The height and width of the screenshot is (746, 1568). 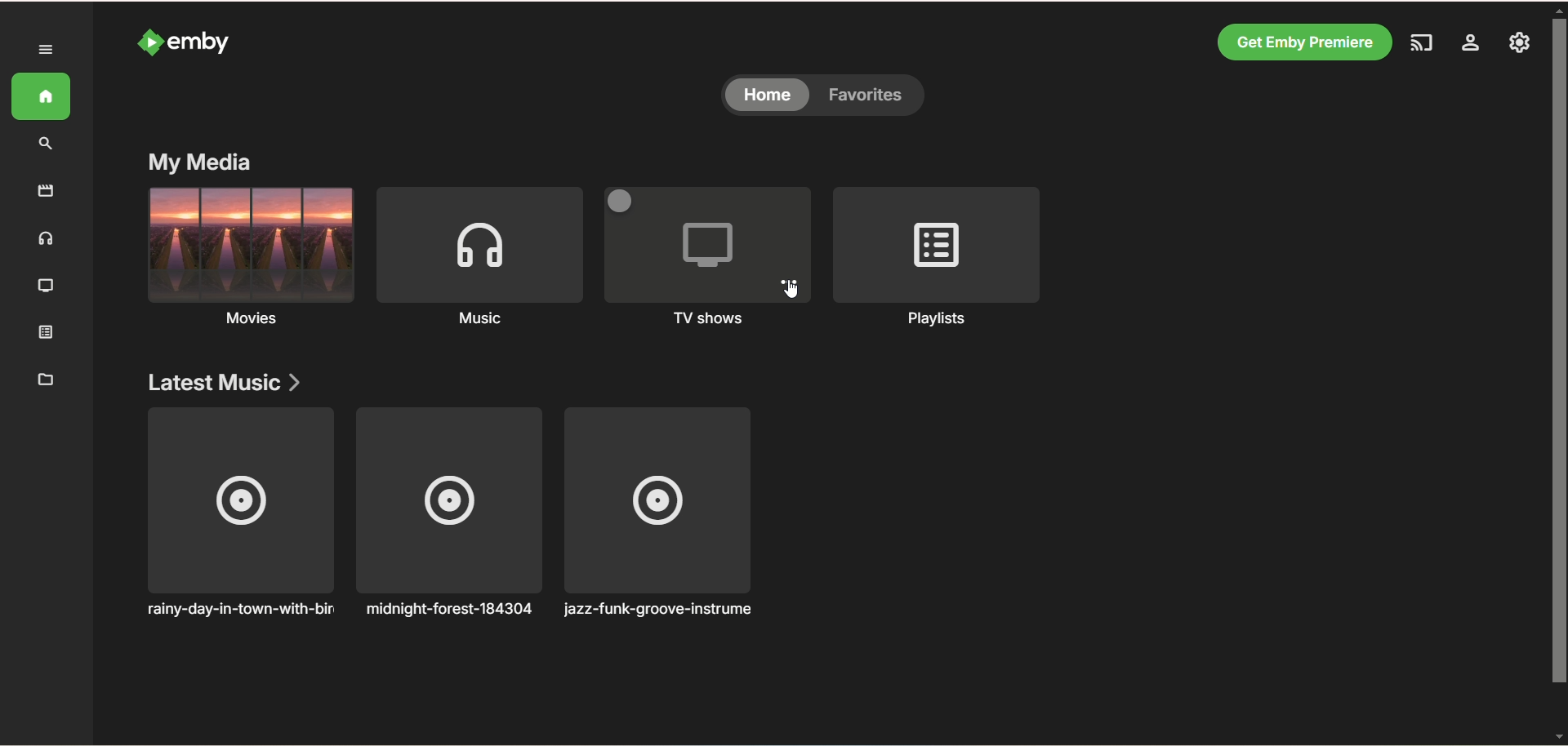 I want to click on home, so click(x=767, y=96).